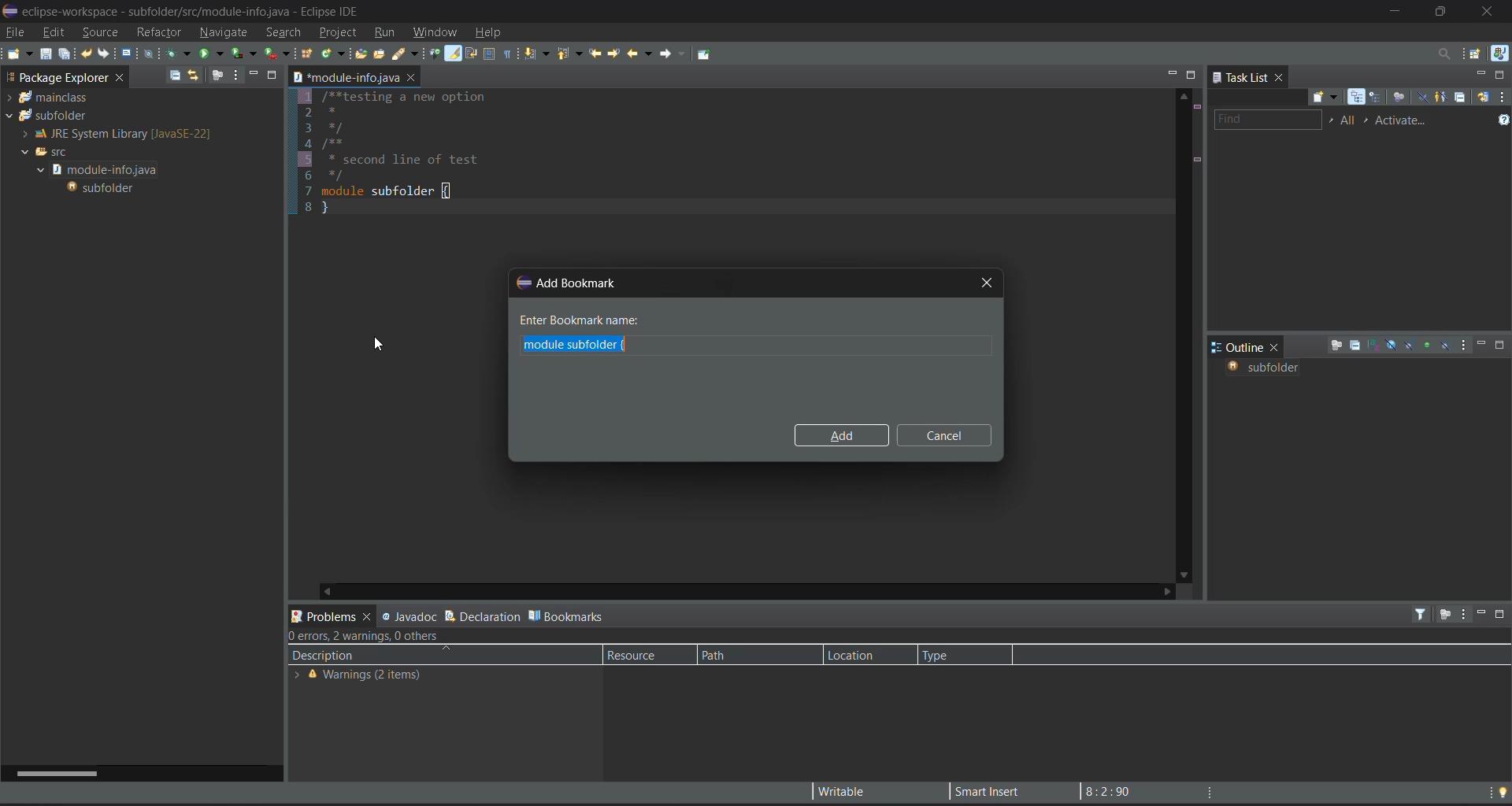 The height and width of the screenshot is (806, 1512). Describe the element at coordinates (406, 57) in the screenshot. I see `search` at that location.